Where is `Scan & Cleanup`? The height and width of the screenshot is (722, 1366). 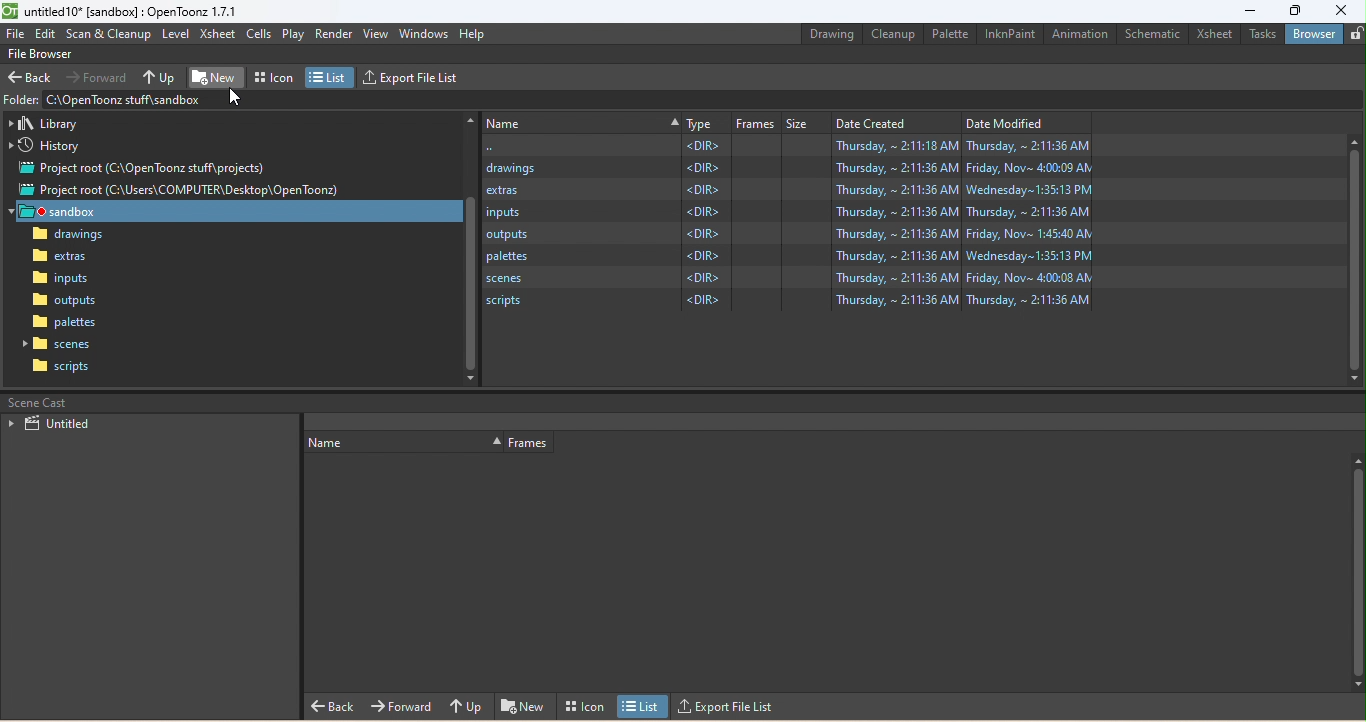
Scan & Cleanup is located at coordinates (107, 33).